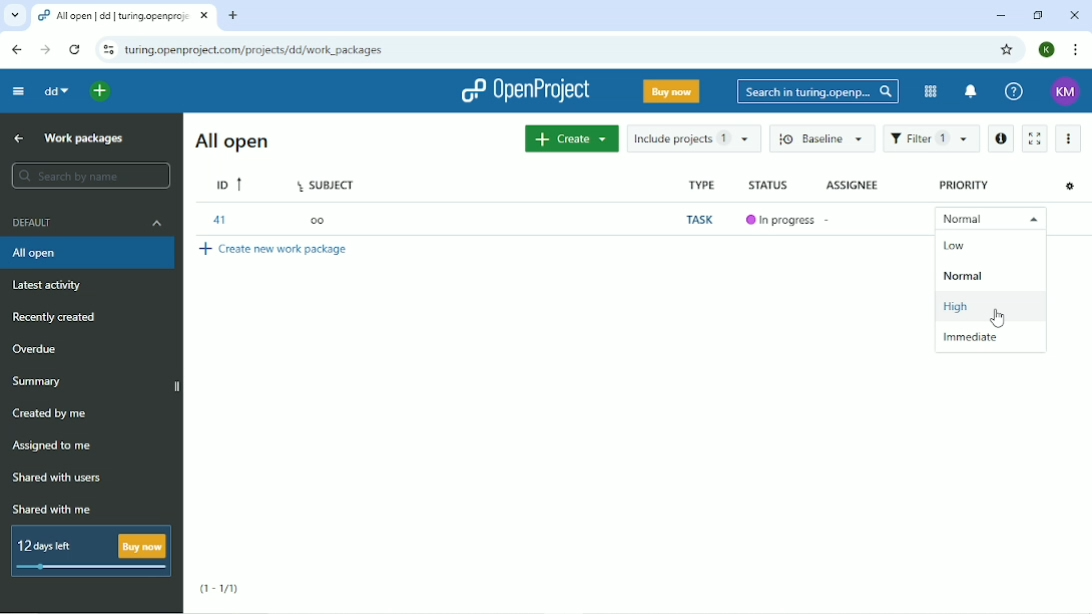 The image size is (1092, 614). I want to click on Low, so click(956, 244).